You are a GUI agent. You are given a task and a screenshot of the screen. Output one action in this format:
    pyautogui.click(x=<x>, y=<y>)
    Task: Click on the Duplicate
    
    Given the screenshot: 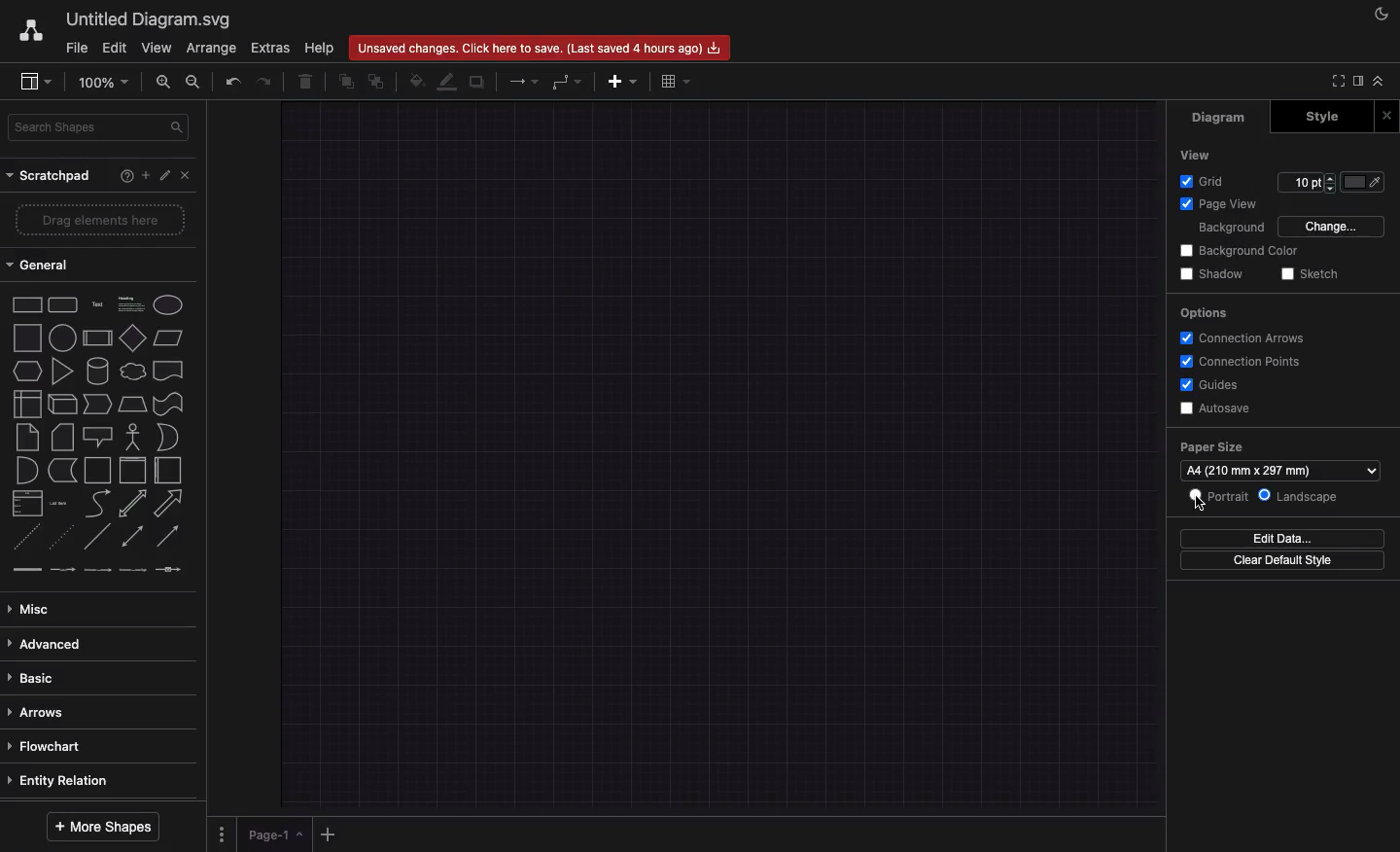 What is the action you would take?
    pyautogui.click(x=480, y=83)
    